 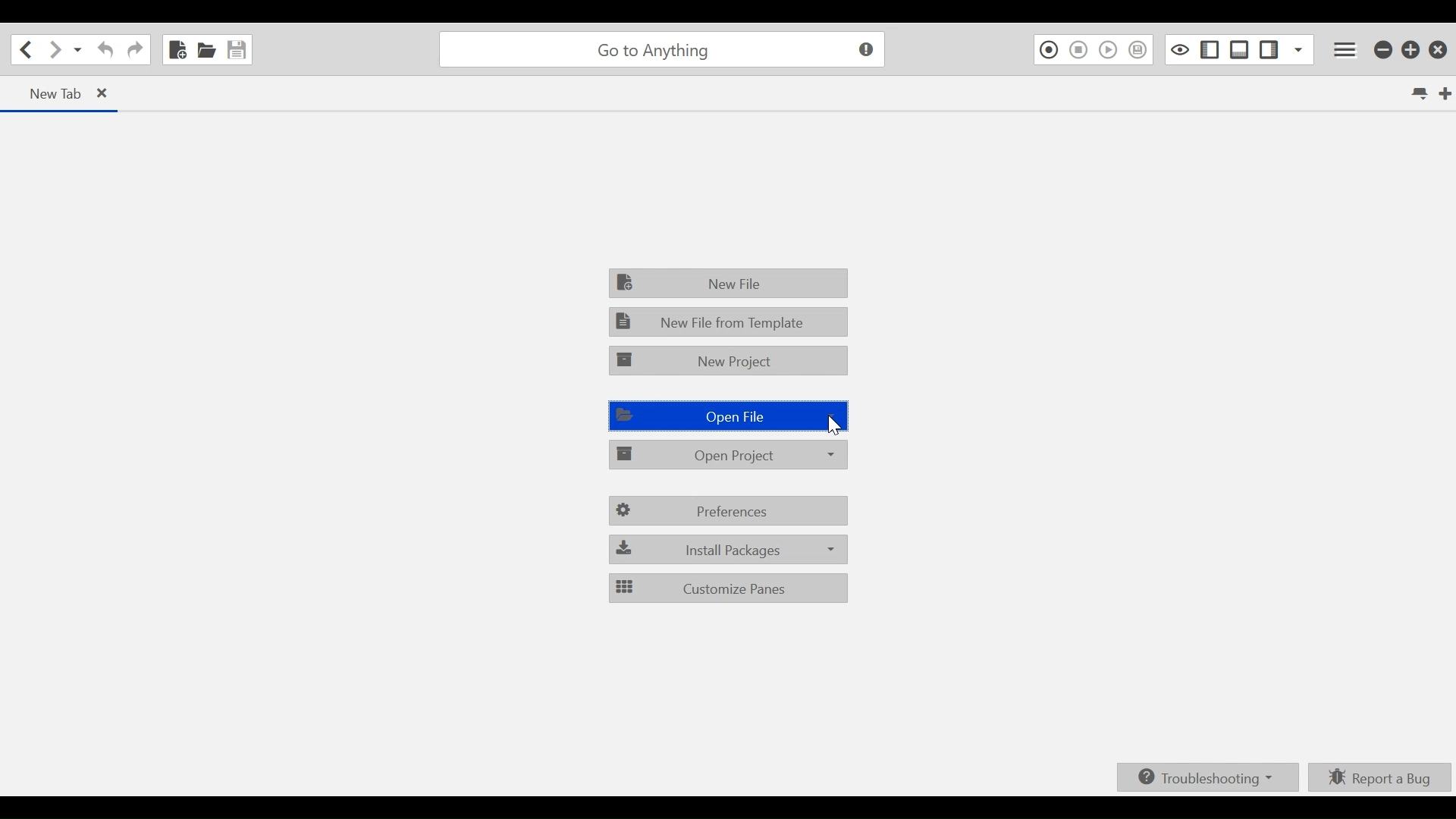 I want to click on Open File, so click(x=730, y=416).